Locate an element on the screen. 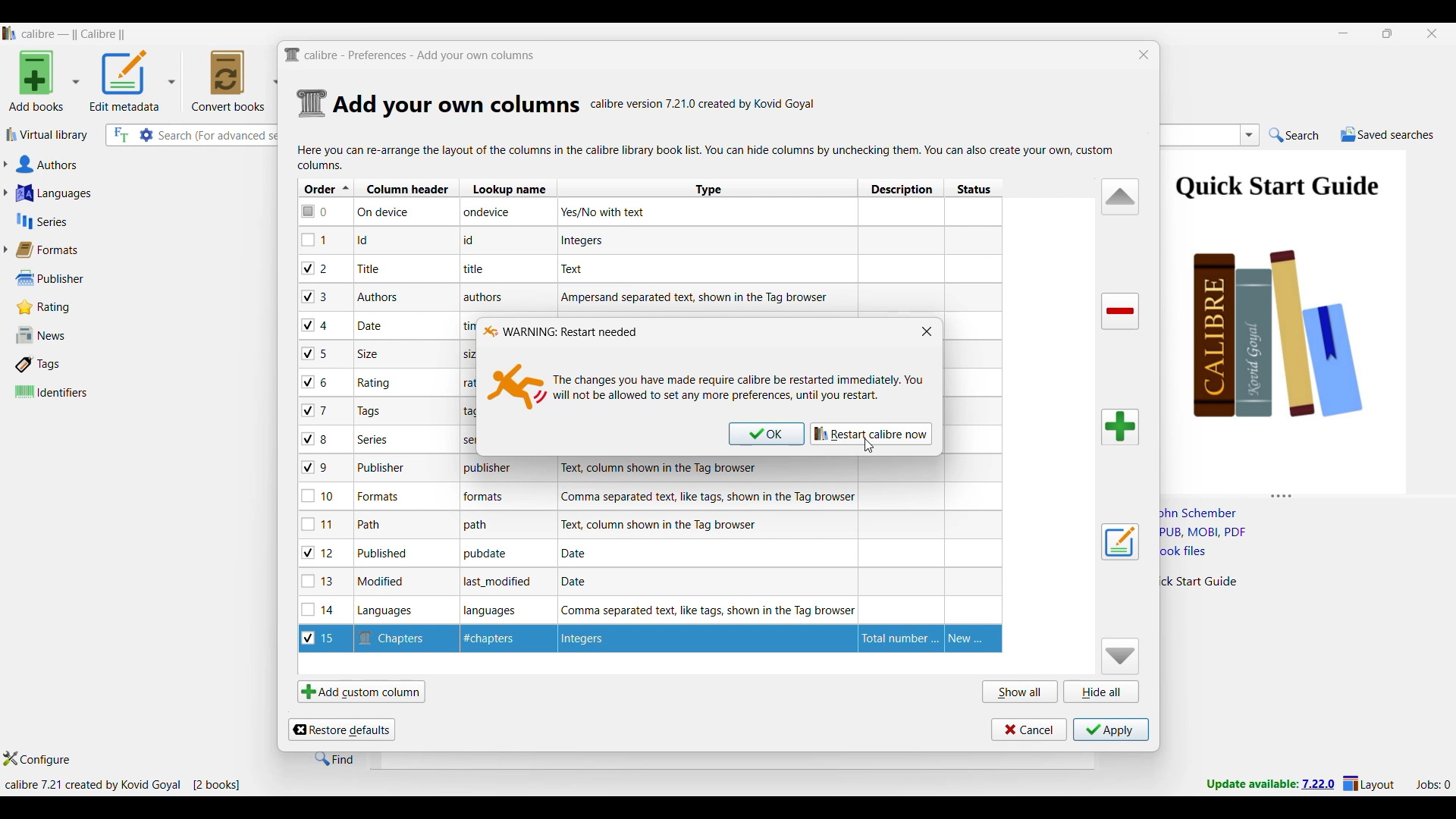  Note is located at coordinates (385, 554).